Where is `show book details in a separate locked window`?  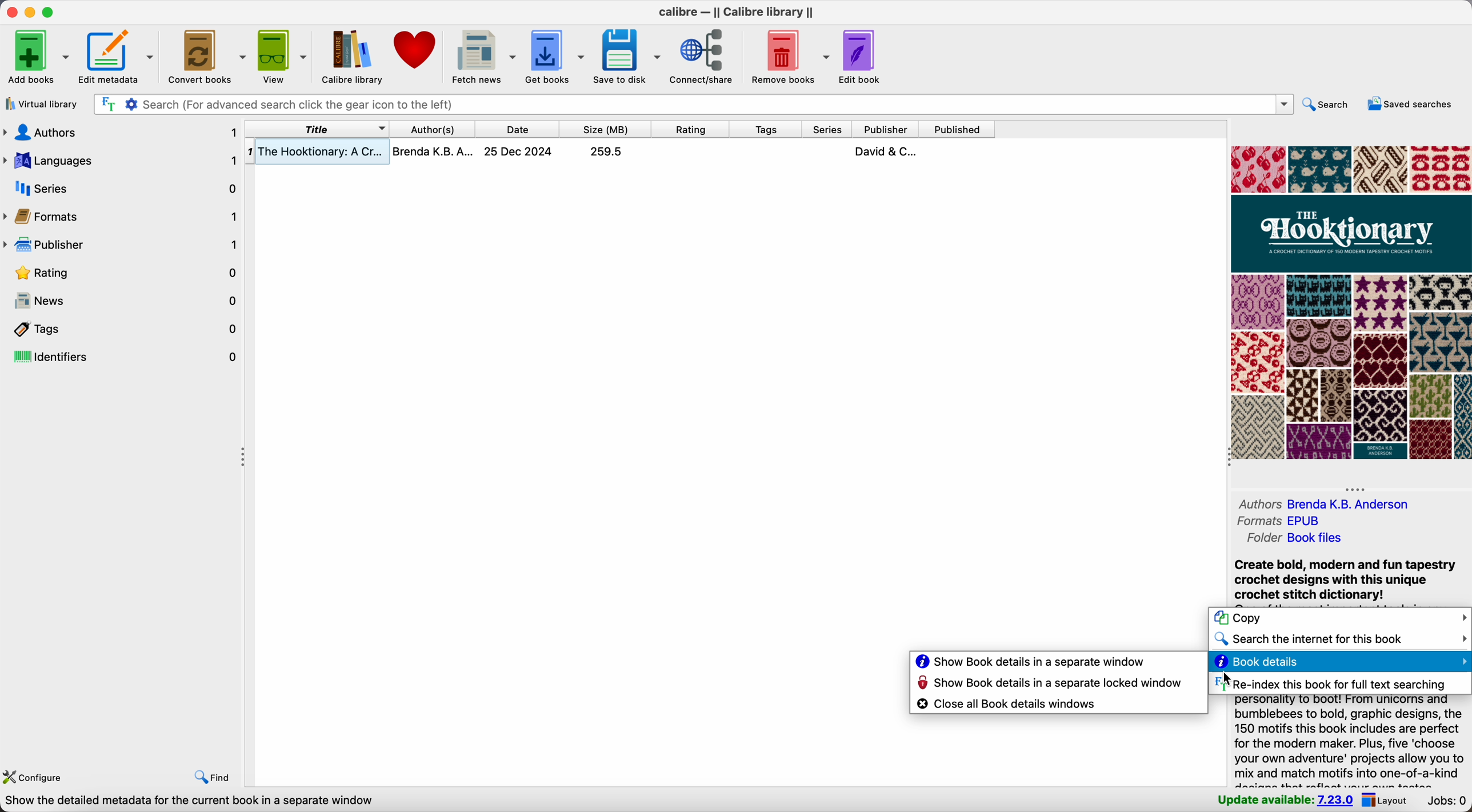
show book details in a separate locked window is located at coordinates (1051, 685).